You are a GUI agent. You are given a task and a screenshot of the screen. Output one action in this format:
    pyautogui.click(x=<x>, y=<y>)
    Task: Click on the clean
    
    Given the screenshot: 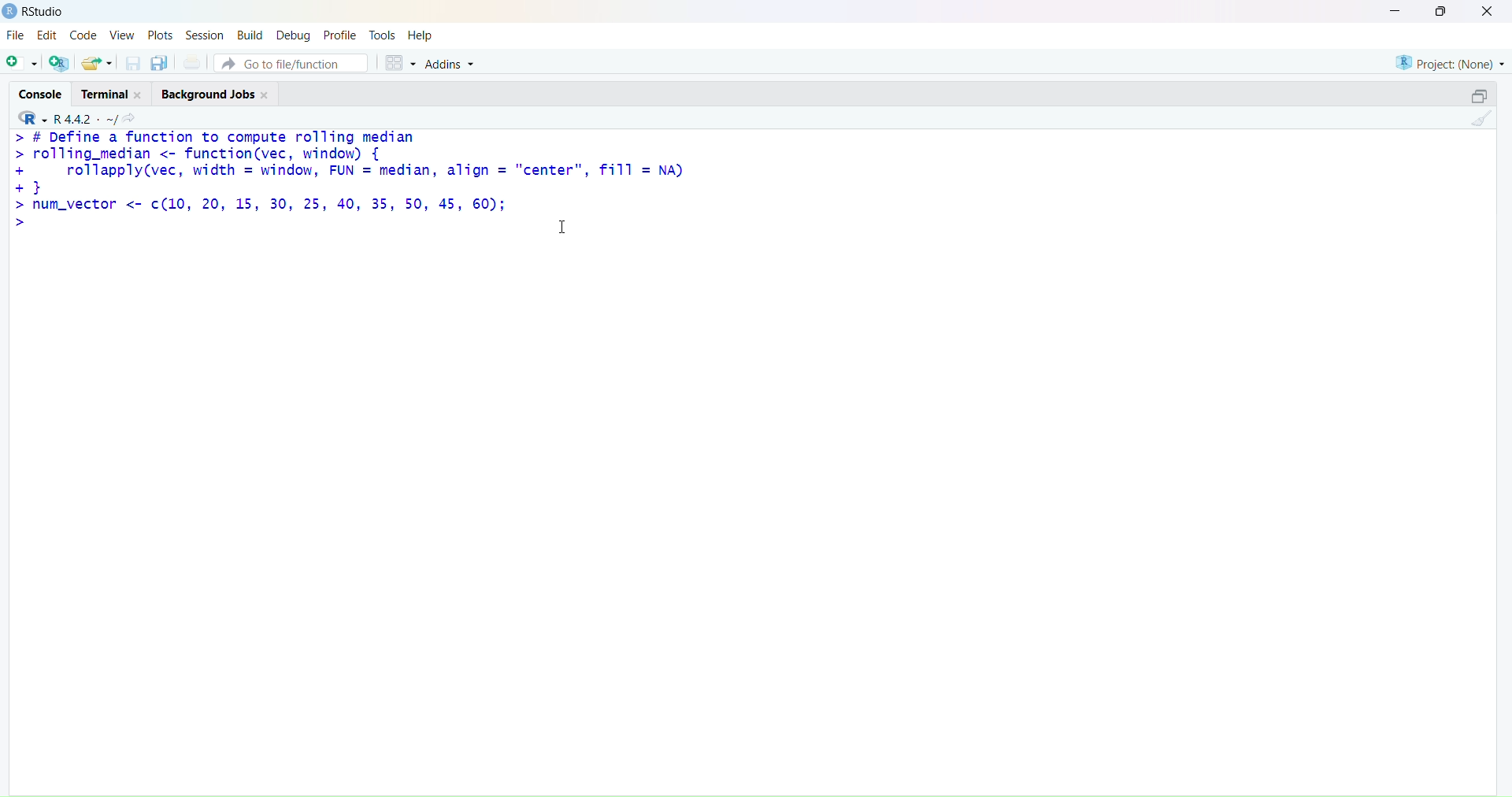 What is the action you would take?
    pyautogui.click(x=1481, y=118)
    